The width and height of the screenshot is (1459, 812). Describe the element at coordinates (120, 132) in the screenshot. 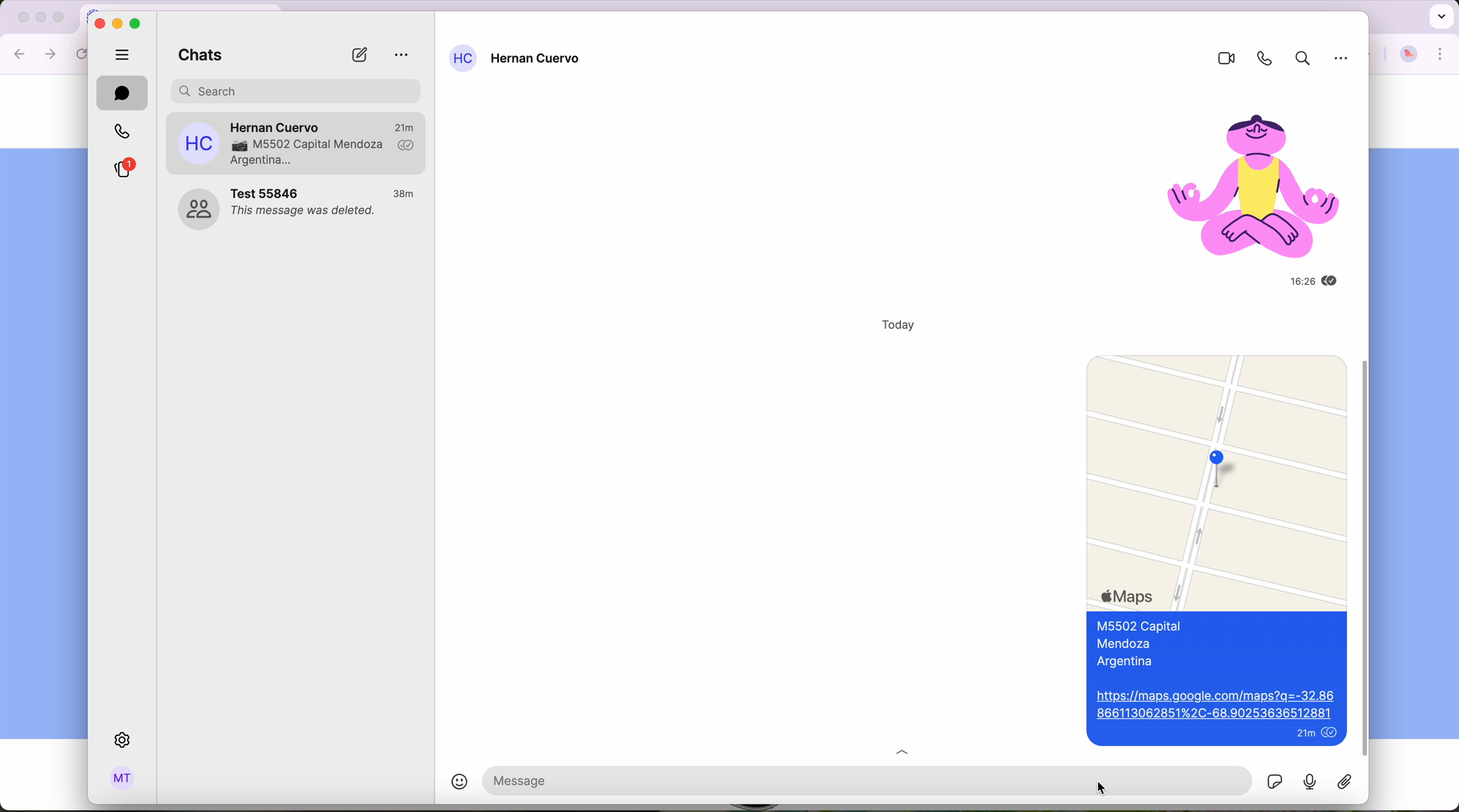

I see `calls` at that location.